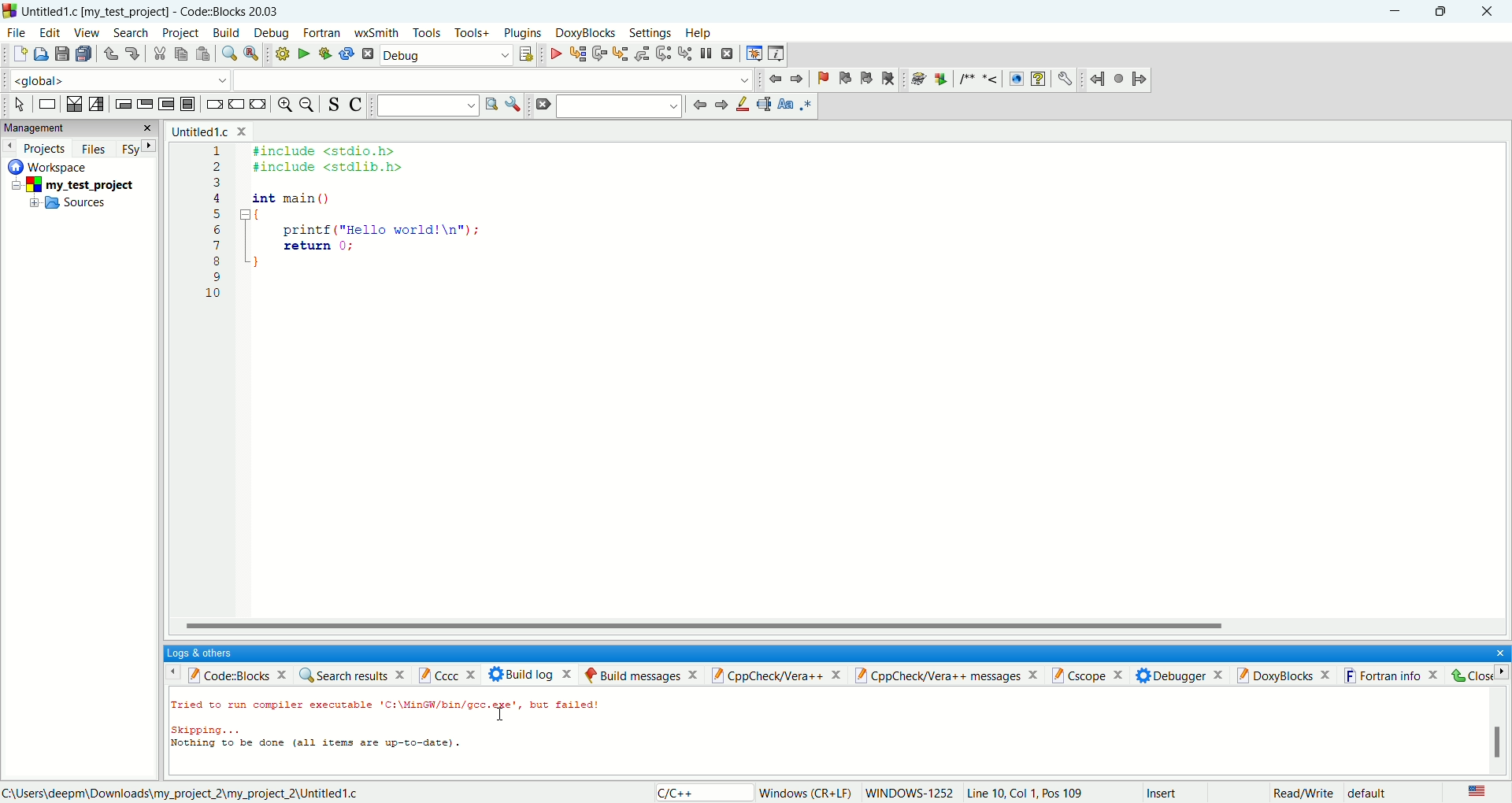  Describe the element at coordinates (213, 105) in the screenshot. I see `break instruction` at that location.